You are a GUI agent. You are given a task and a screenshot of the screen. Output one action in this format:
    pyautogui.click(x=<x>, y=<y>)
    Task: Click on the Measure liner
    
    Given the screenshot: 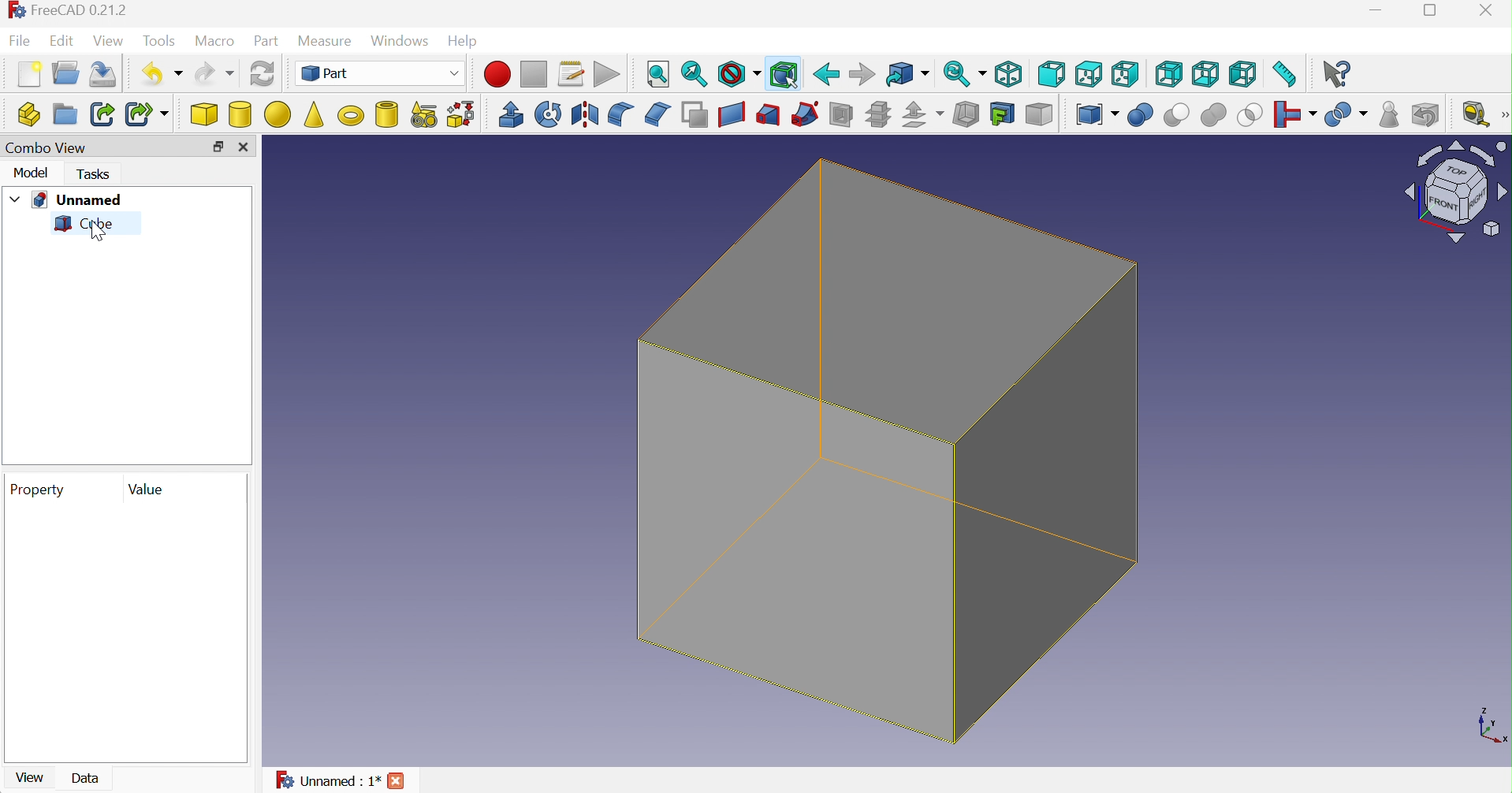 What is the action you would take?
    pyautogui.click(x=1473, y=114)
    